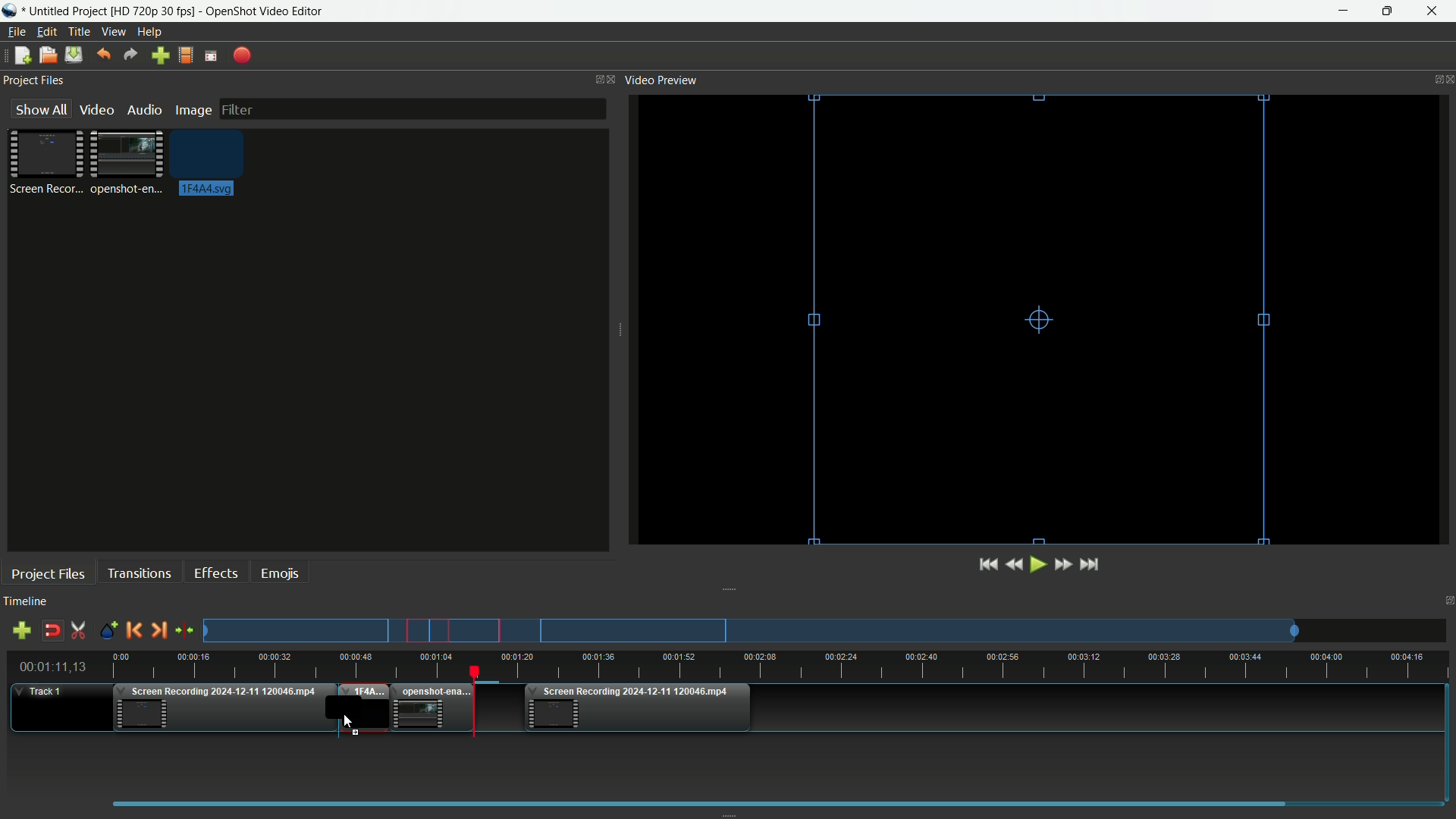  I want to click on Undo, so click(101, 55).